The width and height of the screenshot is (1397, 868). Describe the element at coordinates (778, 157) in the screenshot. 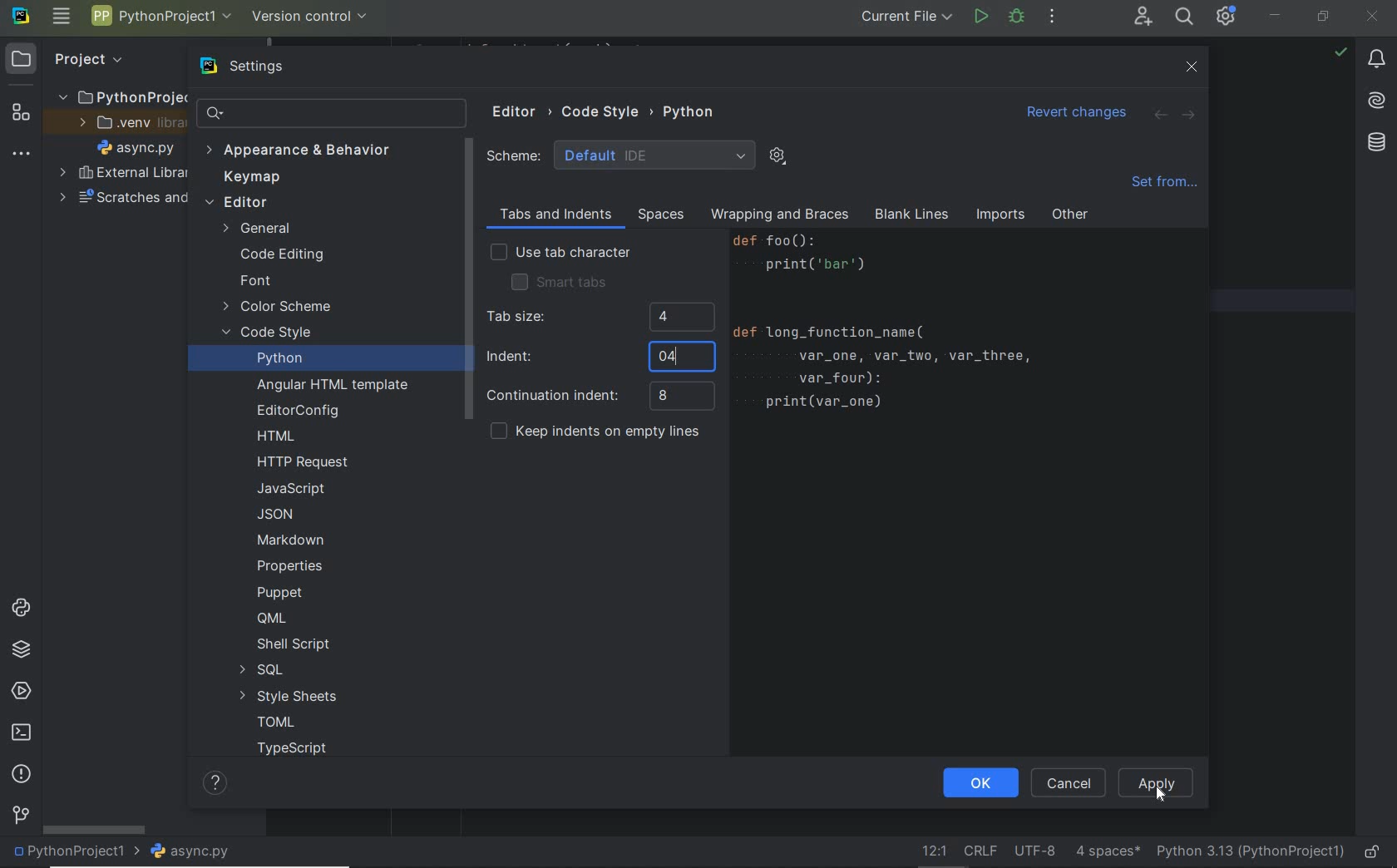

I see `SHOW SCHEME ACTIONS` at that location.